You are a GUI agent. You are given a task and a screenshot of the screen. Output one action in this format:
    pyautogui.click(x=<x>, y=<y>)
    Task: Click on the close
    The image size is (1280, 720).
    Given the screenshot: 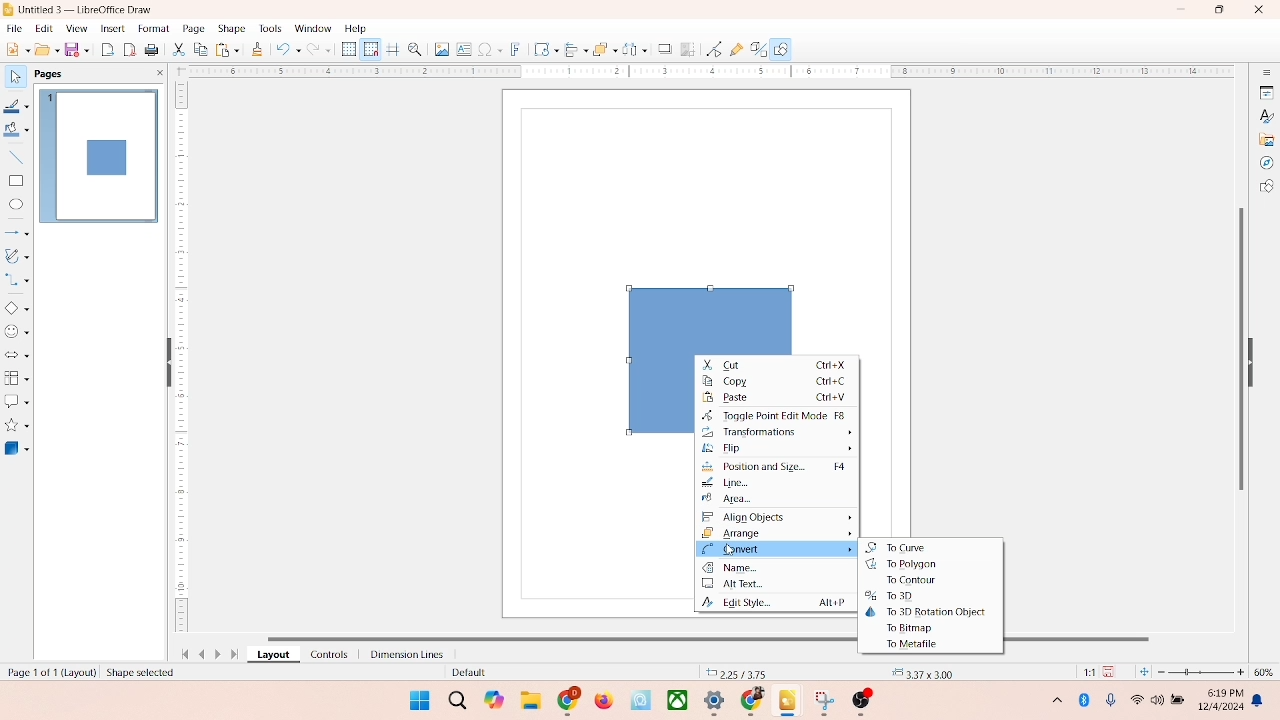 What is the action you would take?
    pyautogui.click(x=1254, y=11)
    